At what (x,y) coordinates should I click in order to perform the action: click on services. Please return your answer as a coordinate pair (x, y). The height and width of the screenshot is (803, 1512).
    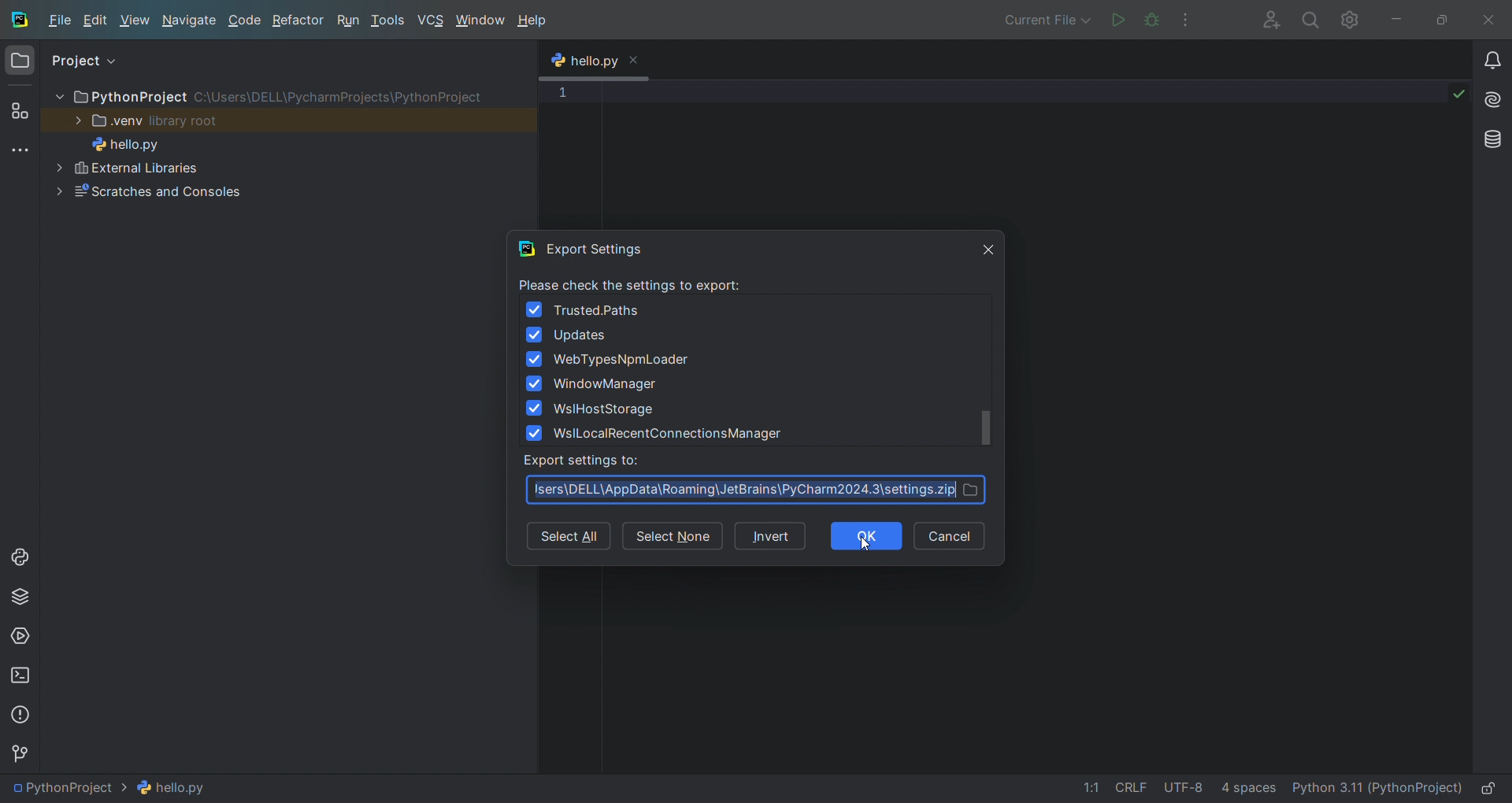
    Looking at the image, I should click on (20, 638).